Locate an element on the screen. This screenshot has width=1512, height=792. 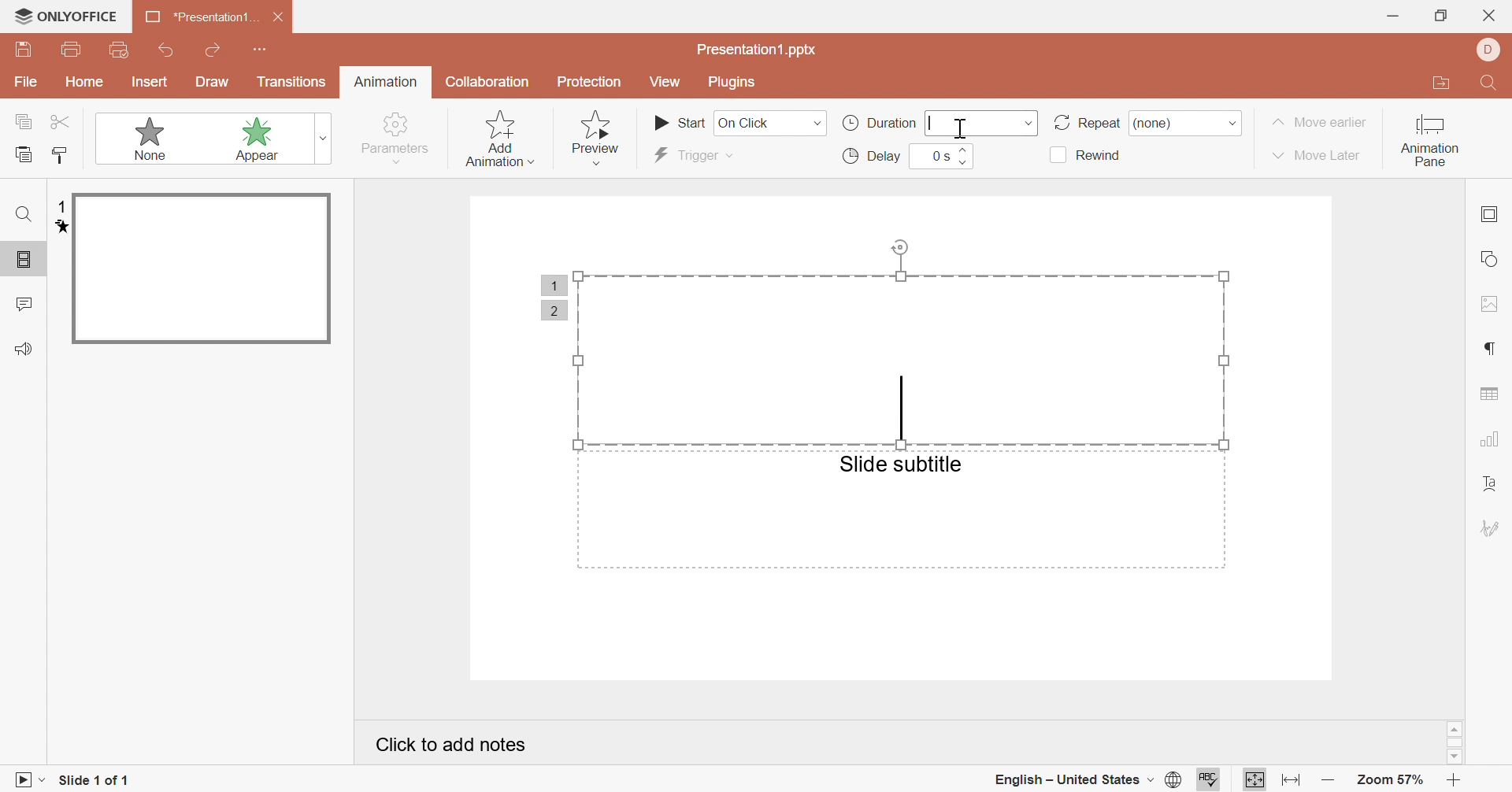
0s is located at coordinates (939, 155).